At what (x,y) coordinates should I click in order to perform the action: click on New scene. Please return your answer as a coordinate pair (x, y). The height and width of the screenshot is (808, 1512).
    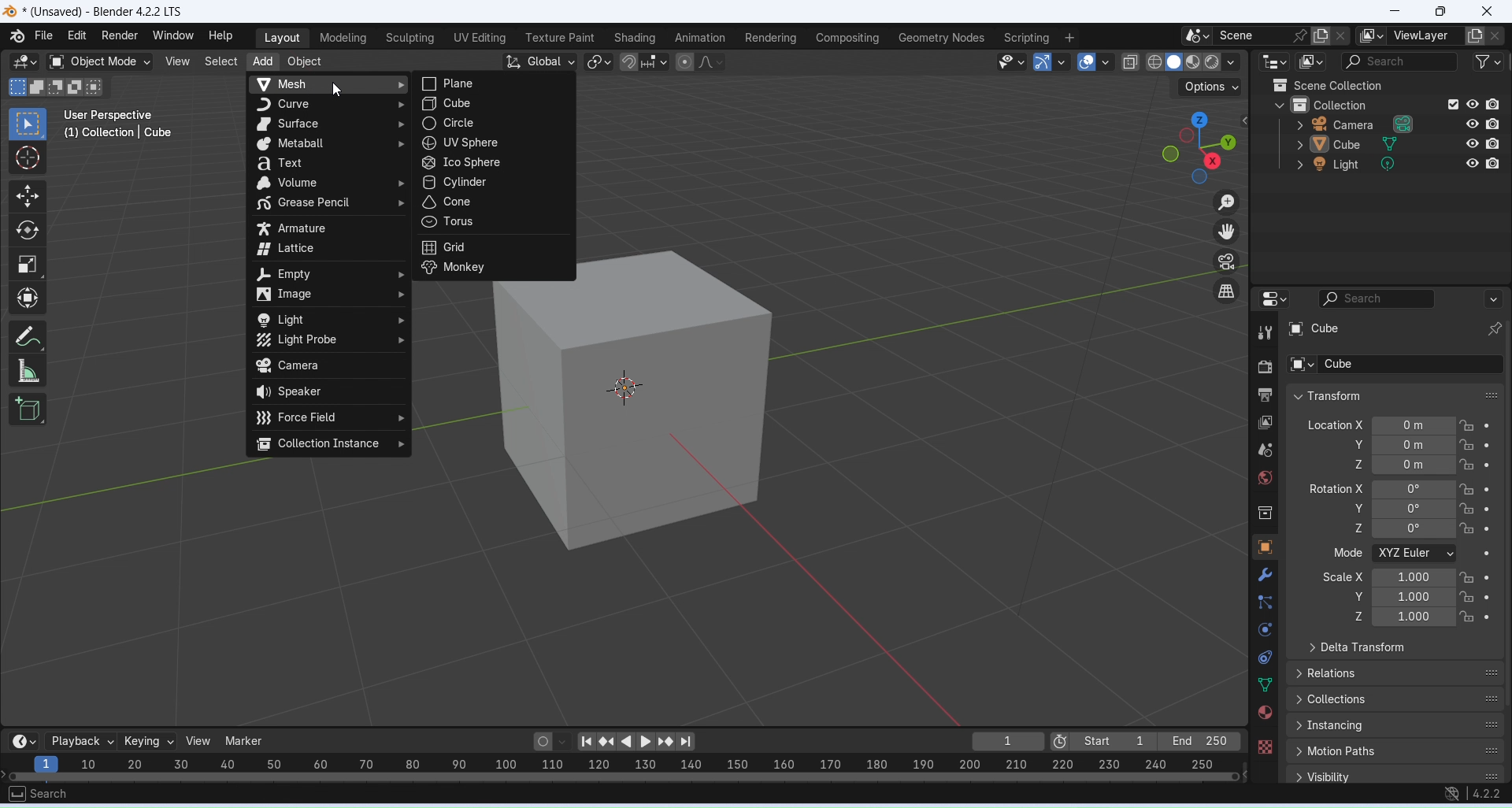
    Looking at the image, I should click on (1345, 36).